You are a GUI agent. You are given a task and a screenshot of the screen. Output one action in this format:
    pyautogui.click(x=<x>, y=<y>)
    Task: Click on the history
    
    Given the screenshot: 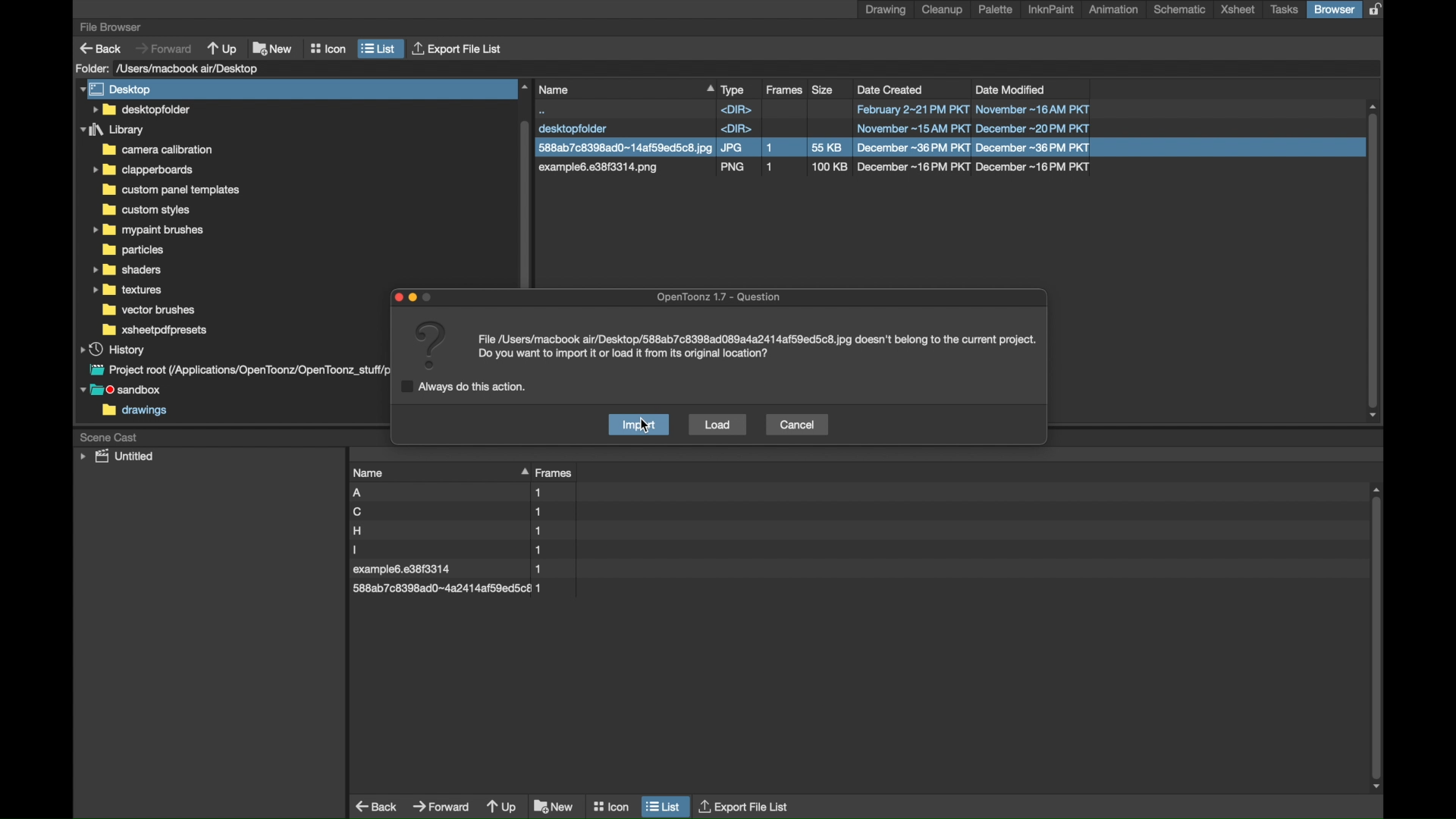 What is the action you would take?
    pyautogui.click(x=114, y=349)
    